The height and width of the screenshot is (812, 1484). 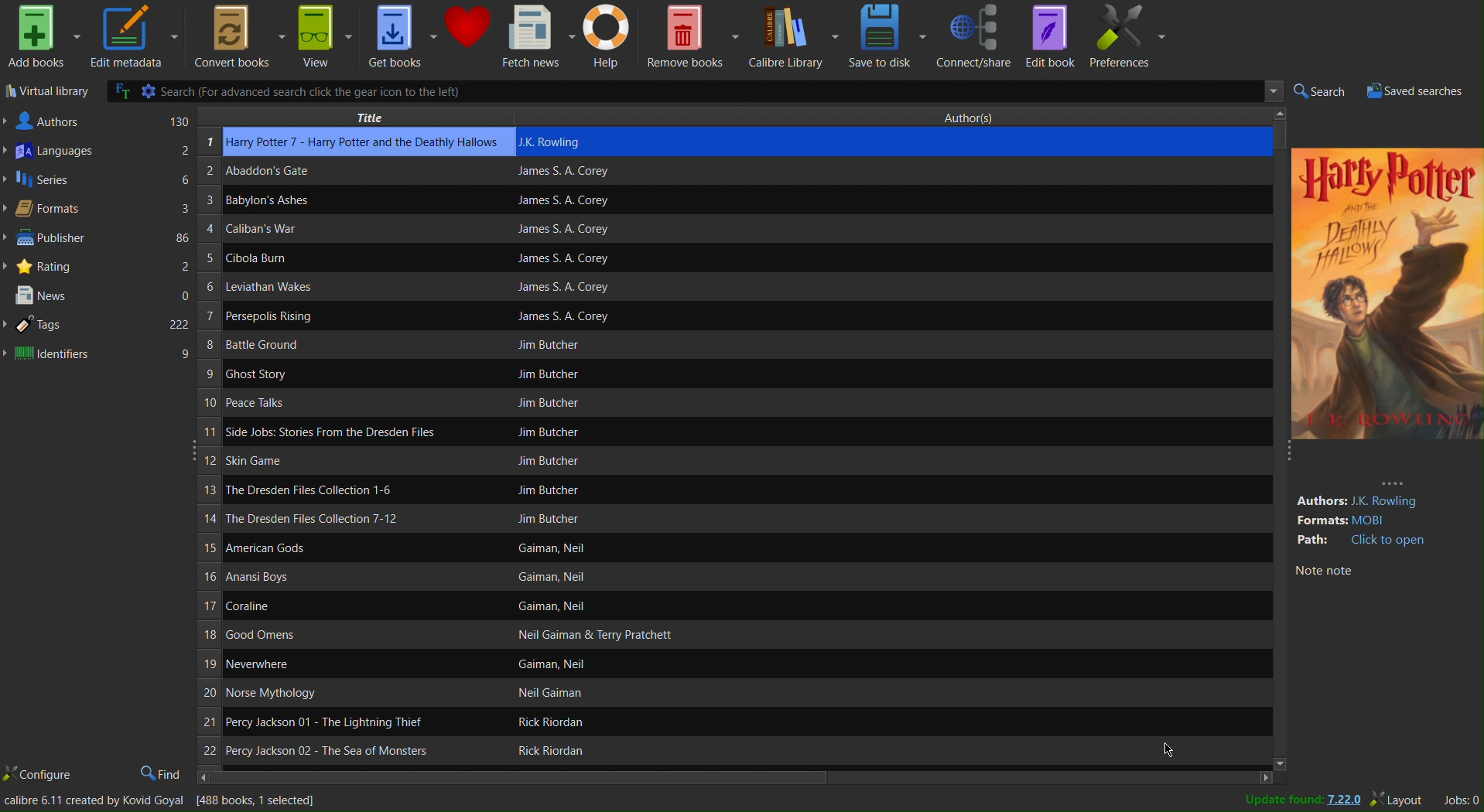 I want to click on Publisher, so click(x=99, y=240).